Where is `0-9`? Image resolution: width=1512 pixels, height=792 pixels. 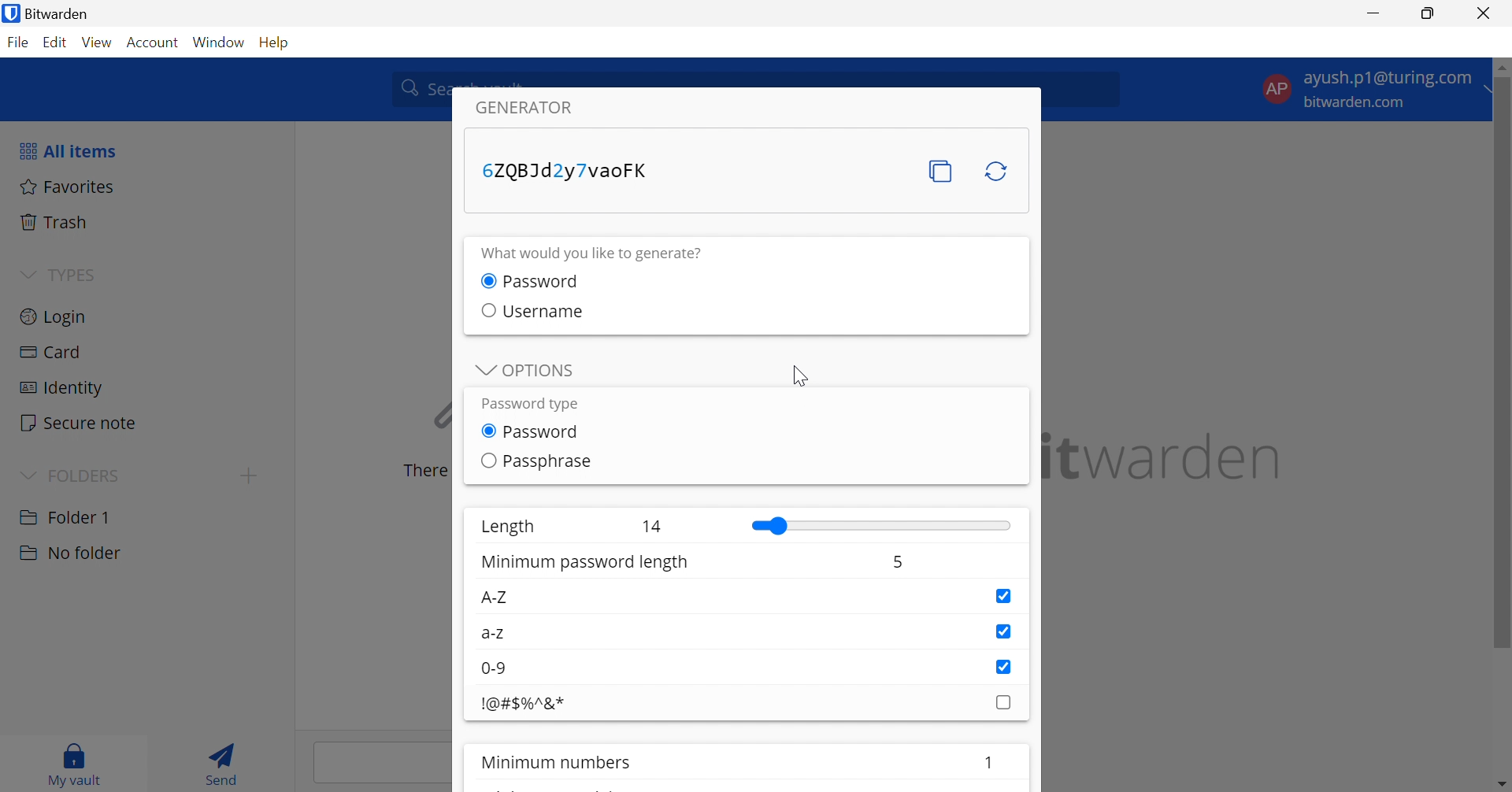 0-9 is located at coordinates (498, 668).